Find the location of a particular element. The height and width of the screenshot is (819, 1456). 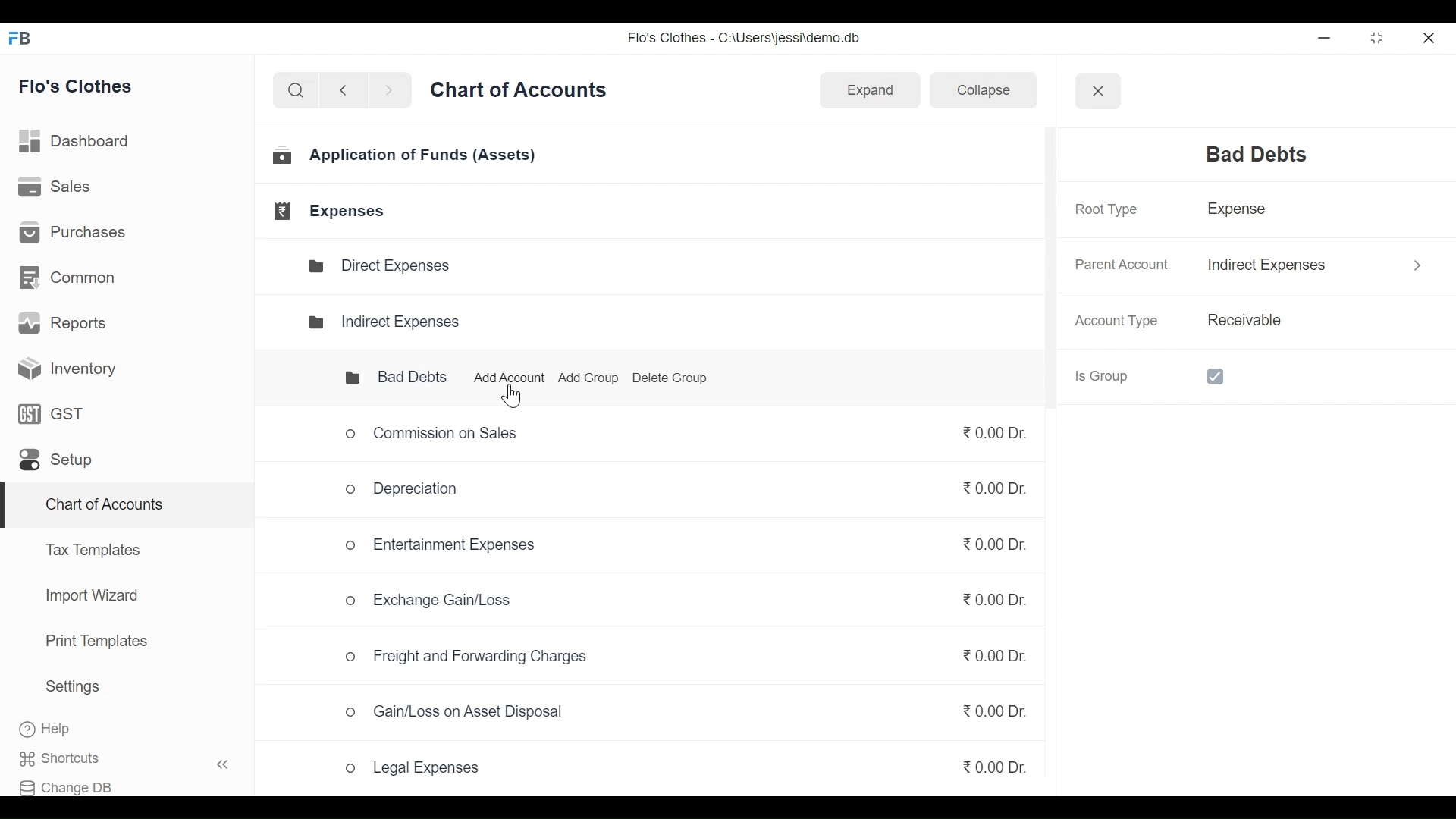

Close is located at coordinates (1097, 89).